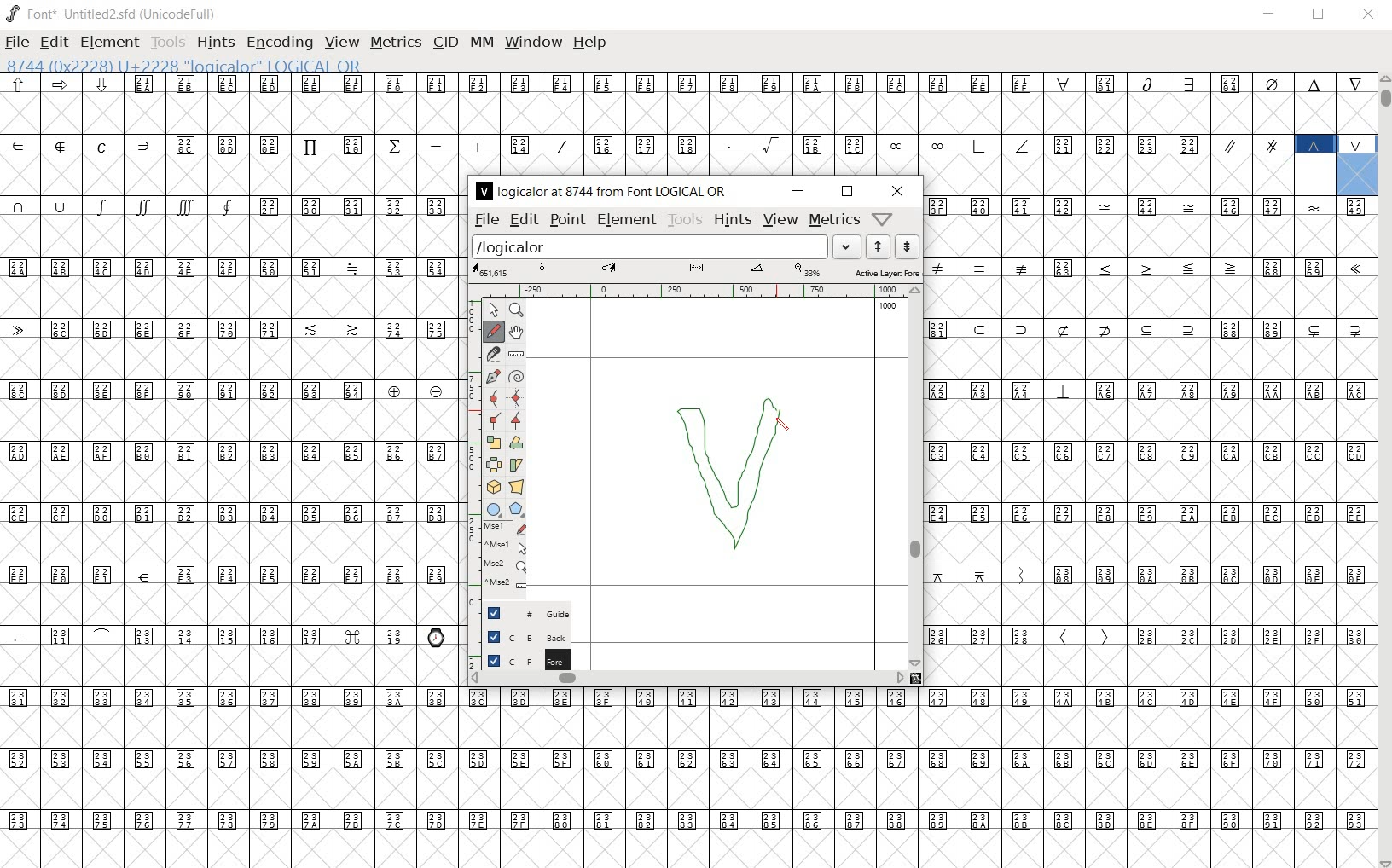 The width and height of the screenshot is (1392, 868). I want to click on element, so click(626, 221).